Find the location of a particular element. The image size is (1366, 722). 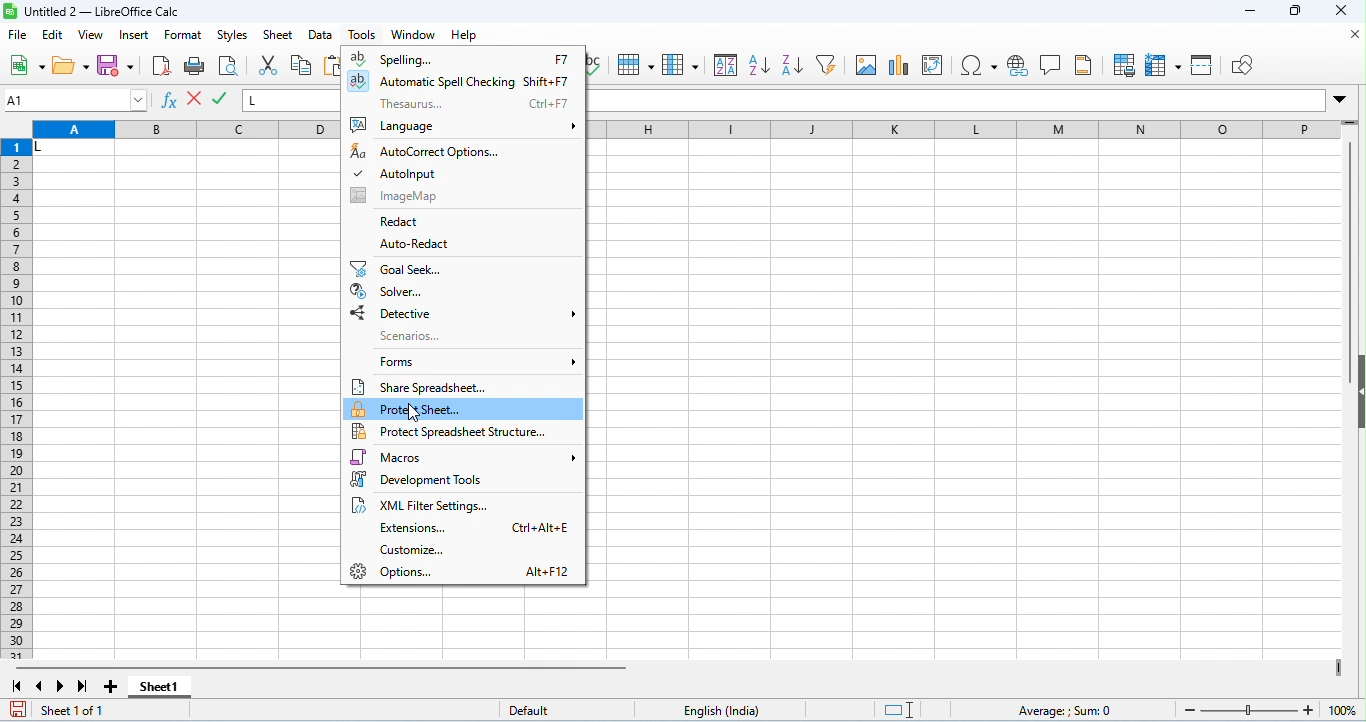

column headings is located at coordinates (187, 130).